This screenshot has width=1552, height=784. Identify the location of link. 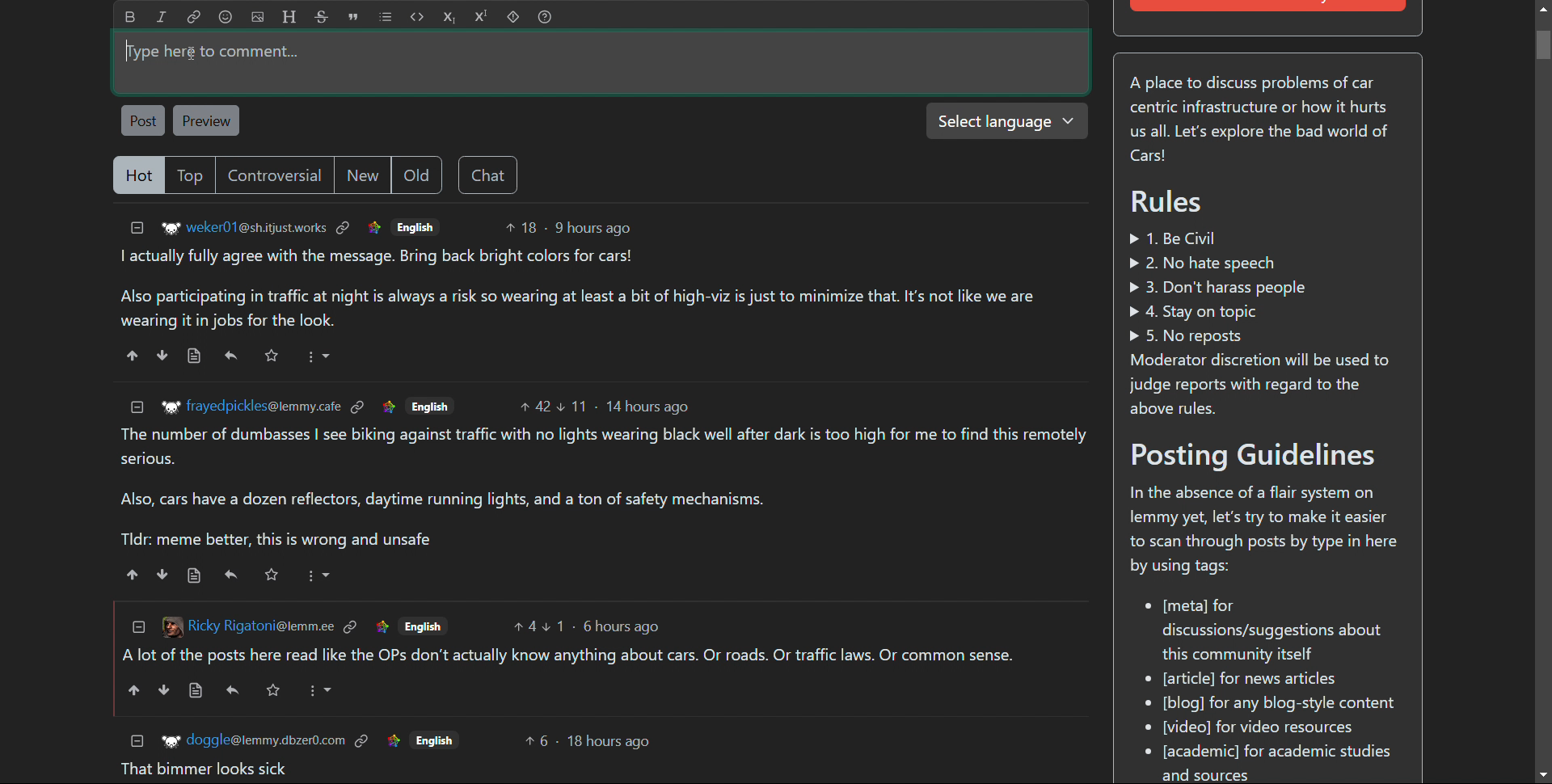
(392, 740).